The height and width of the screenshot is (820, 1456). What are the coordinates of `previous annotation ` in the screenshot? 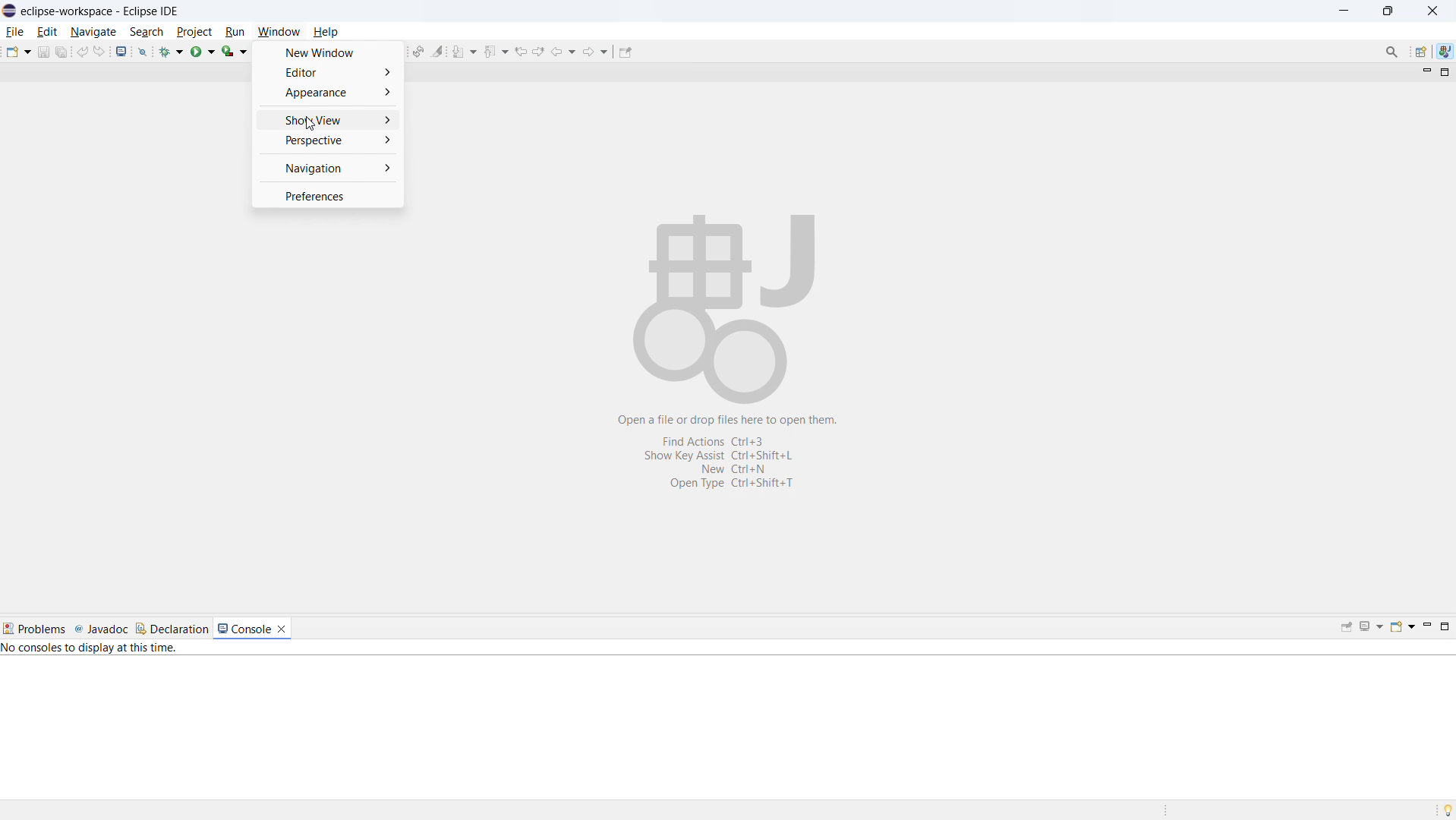 It's located at (494, 52).